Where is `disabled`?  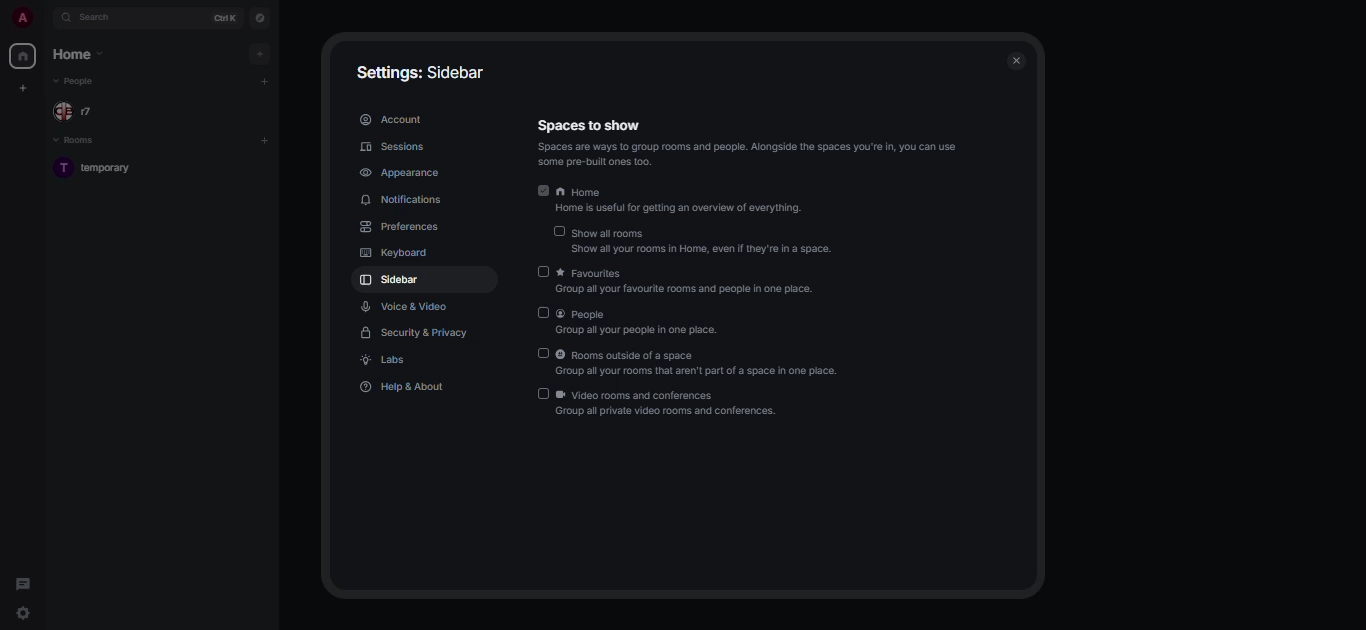 disabled is located at coordinates (544, 353).